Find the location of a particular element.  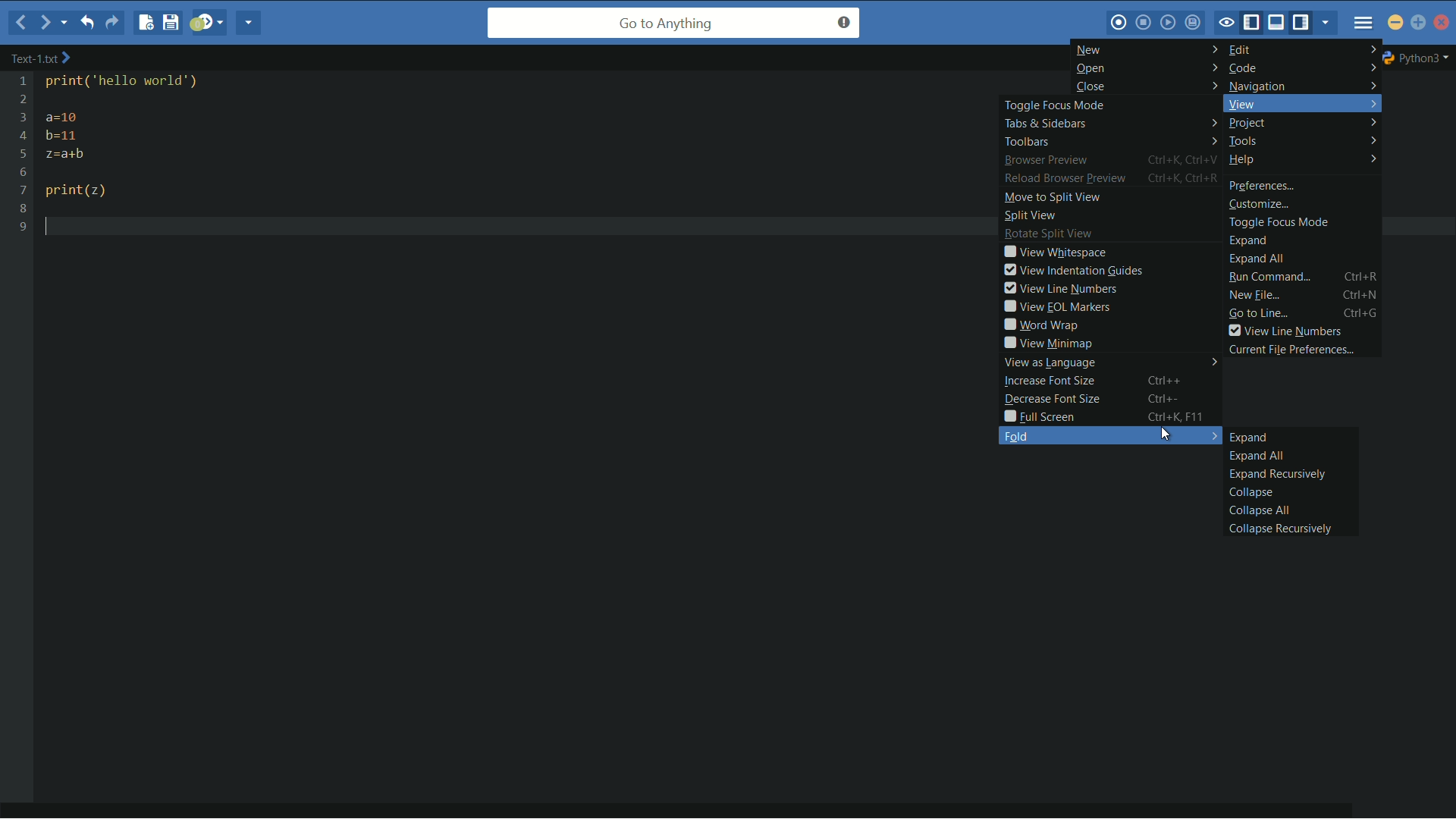

reload browser preview is located at coordinates (1064, 180).